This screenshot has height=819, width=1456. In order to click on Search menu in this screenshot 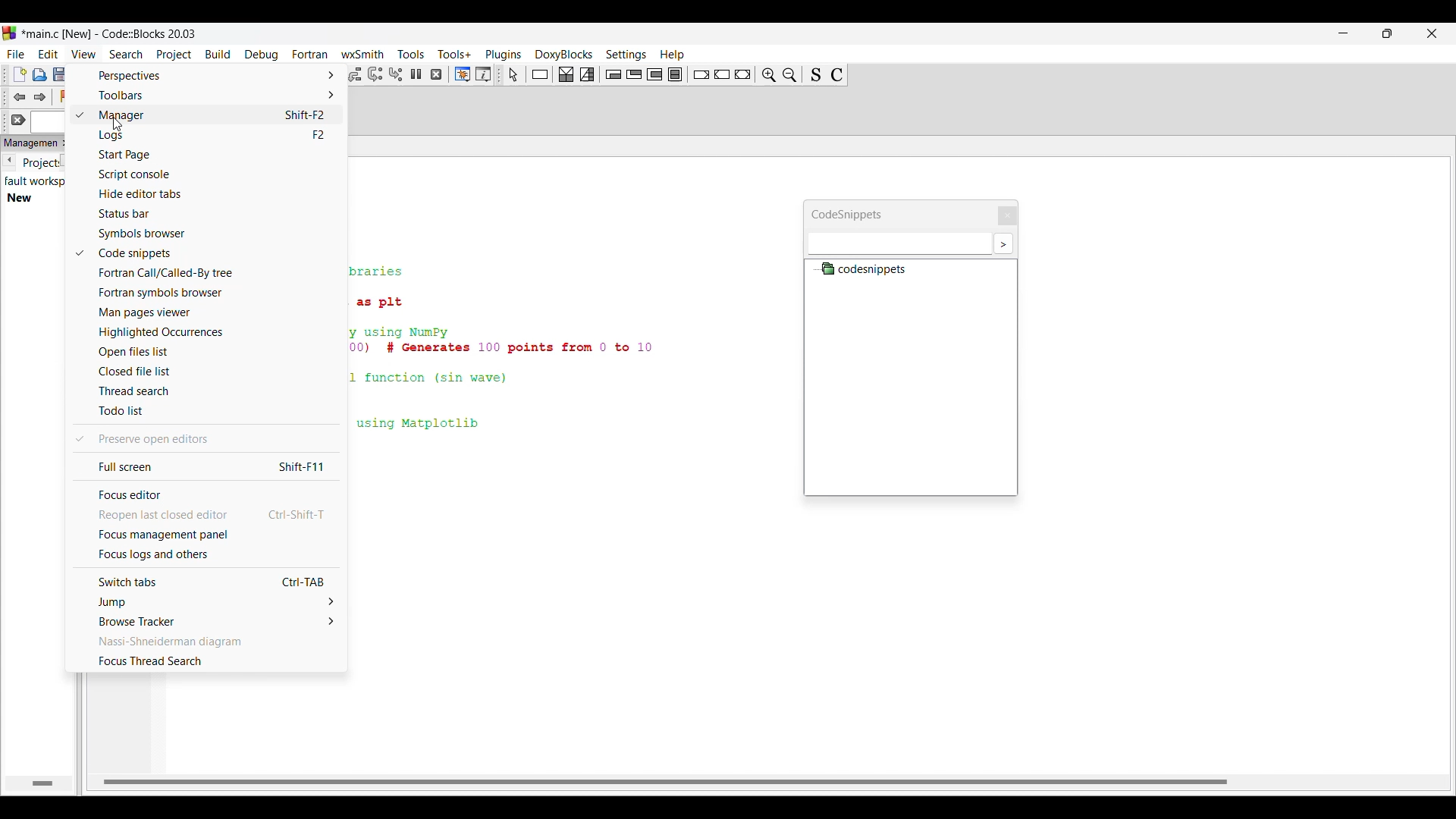, I will do `click(127, 55)`.